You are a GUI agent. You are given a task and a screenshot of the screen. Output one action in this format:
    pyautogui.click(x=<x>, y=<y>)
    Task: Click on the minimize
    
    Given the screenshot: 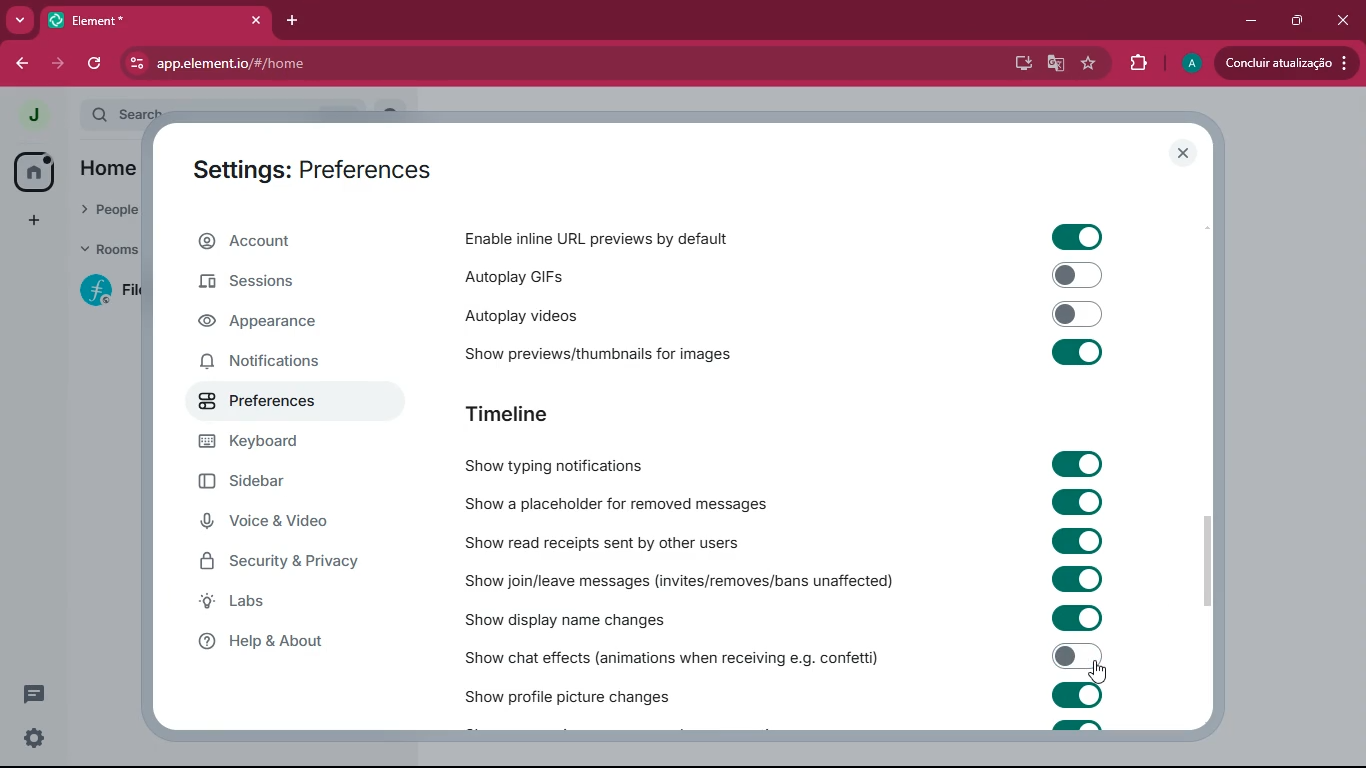 What is the action you would take?
    pyautogui.click(x=1246, y=21)
    